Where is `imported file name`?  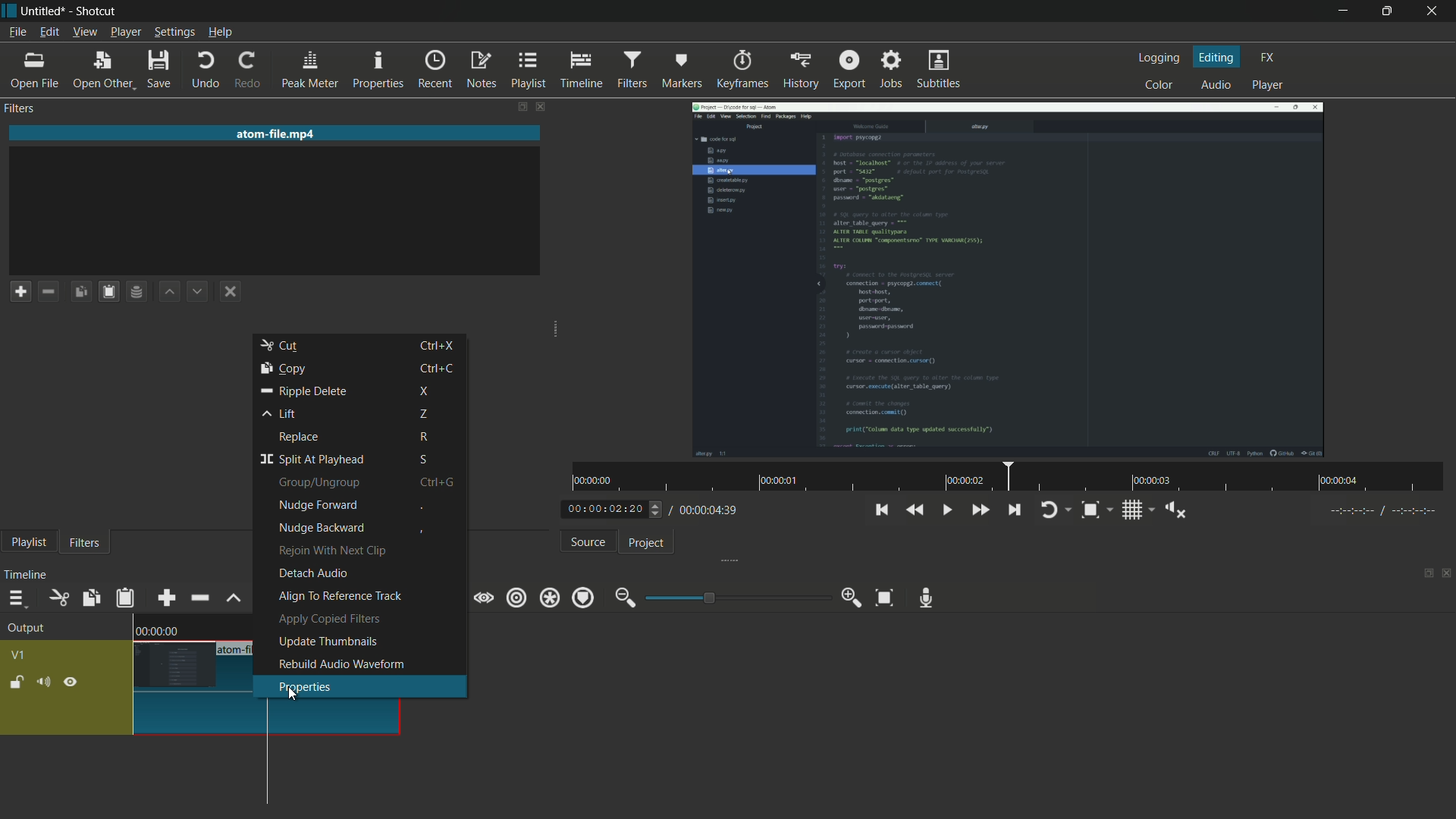
imported file name is located at coordinates (272, 135).